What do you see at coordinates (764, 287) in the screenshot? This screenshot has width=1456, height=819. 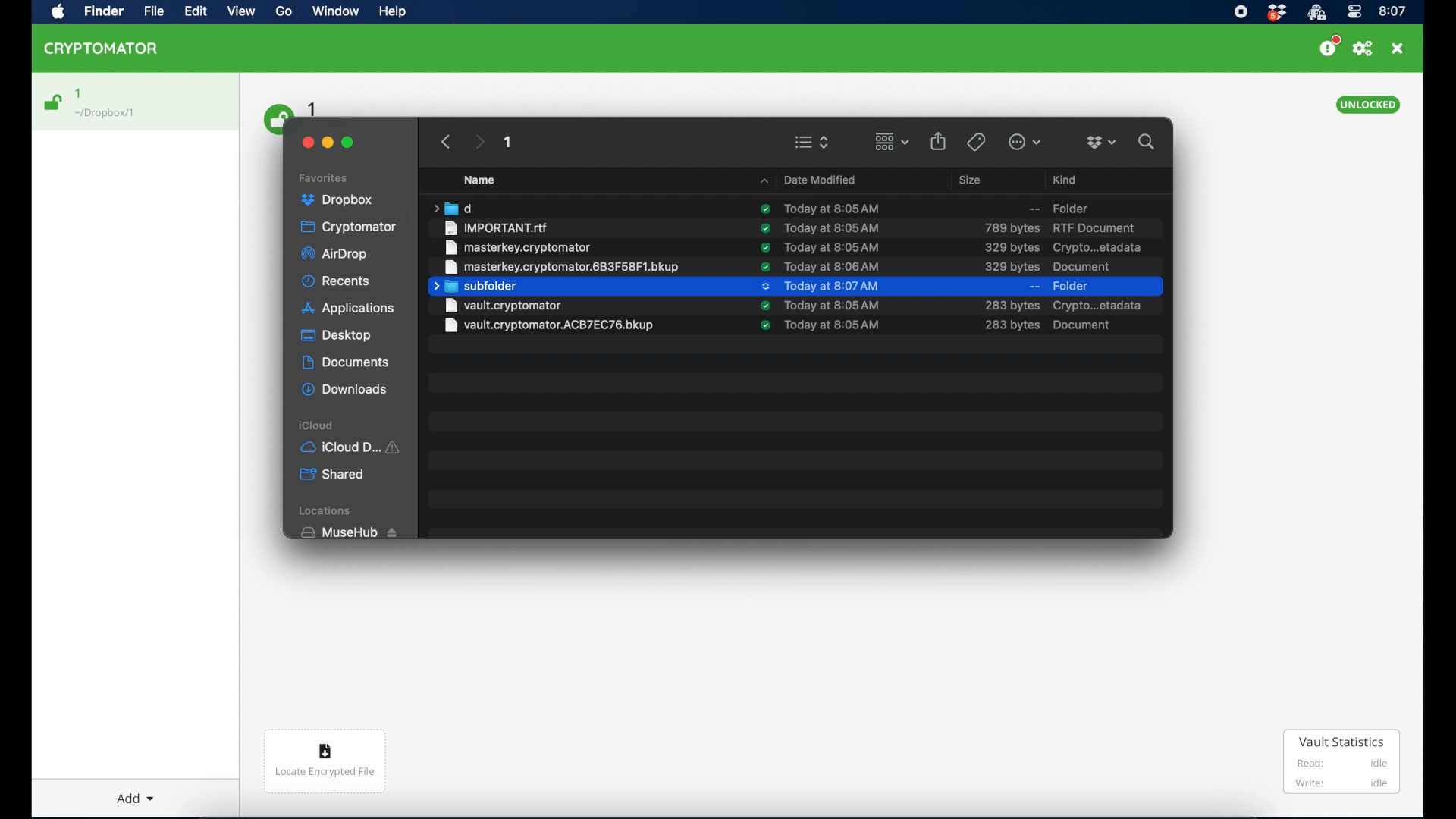 I see `syncing` at bounding box center [764, 287].